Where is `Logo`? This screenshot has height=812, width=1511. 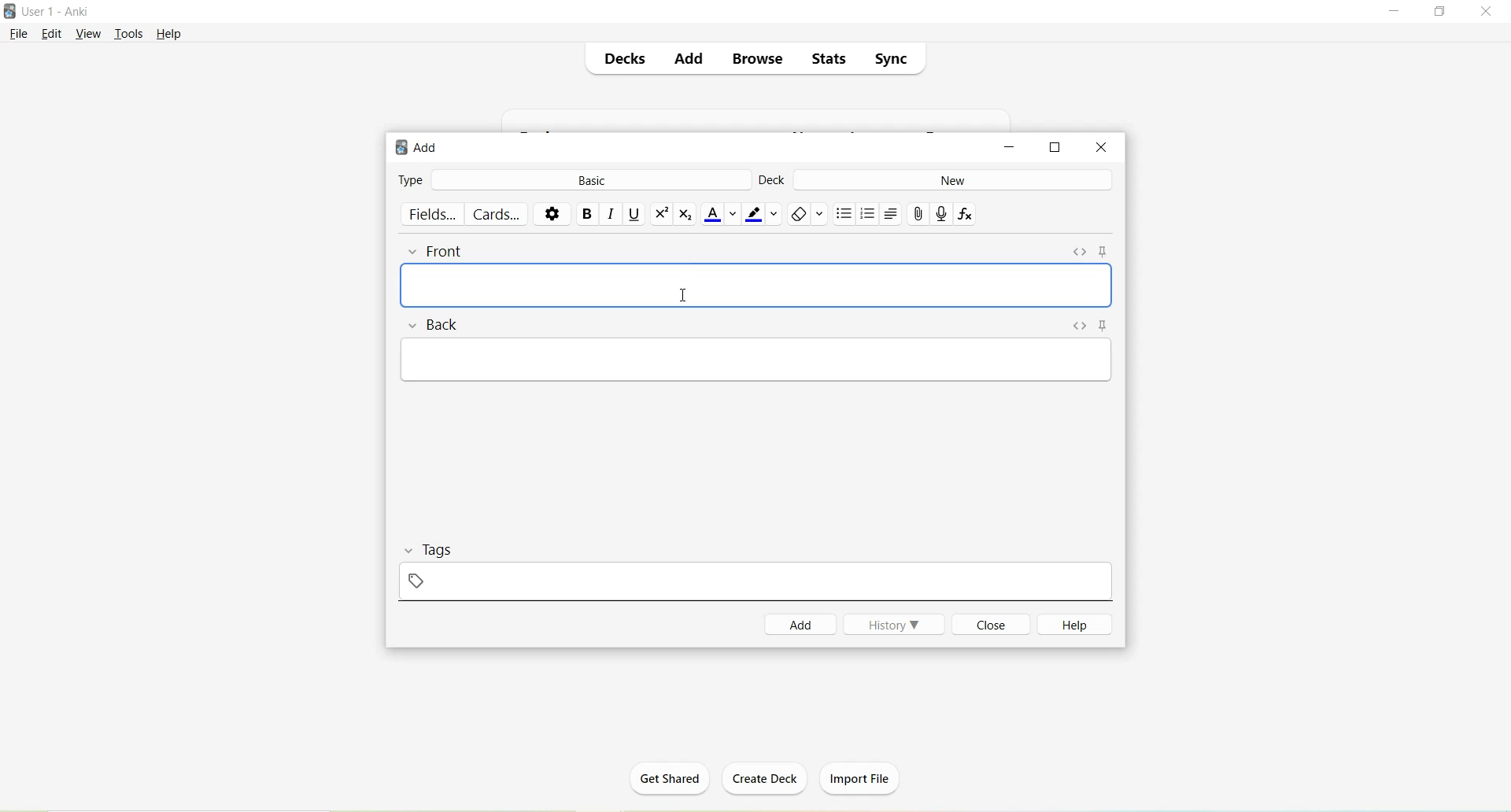 Logo is located at coordinates (9, 11).